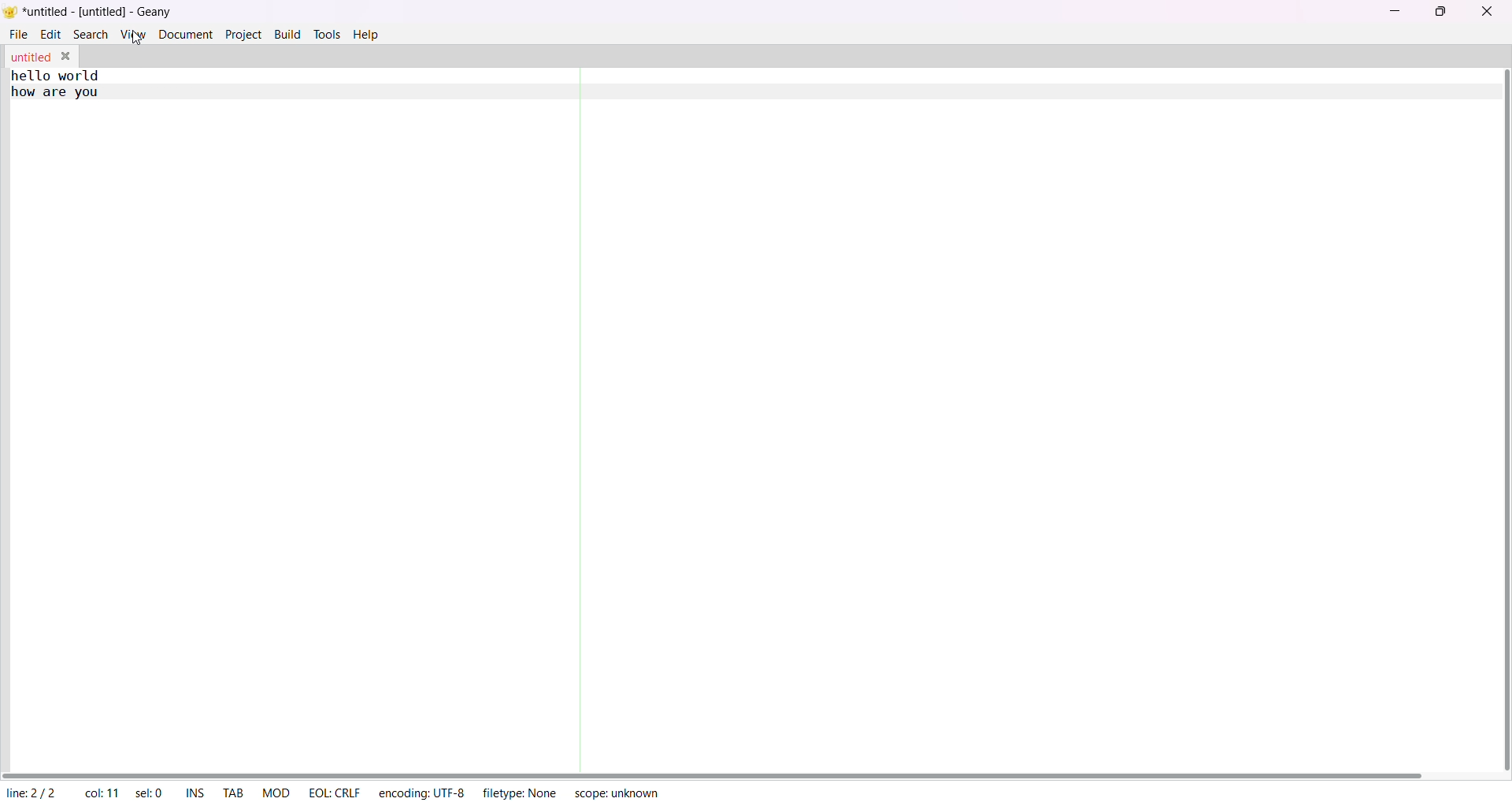 This screenshot has height=802, width=1512. What do you see at coordinates (617, 793) in the screenshot?
I see `scope` at bounding box center [617, 793].